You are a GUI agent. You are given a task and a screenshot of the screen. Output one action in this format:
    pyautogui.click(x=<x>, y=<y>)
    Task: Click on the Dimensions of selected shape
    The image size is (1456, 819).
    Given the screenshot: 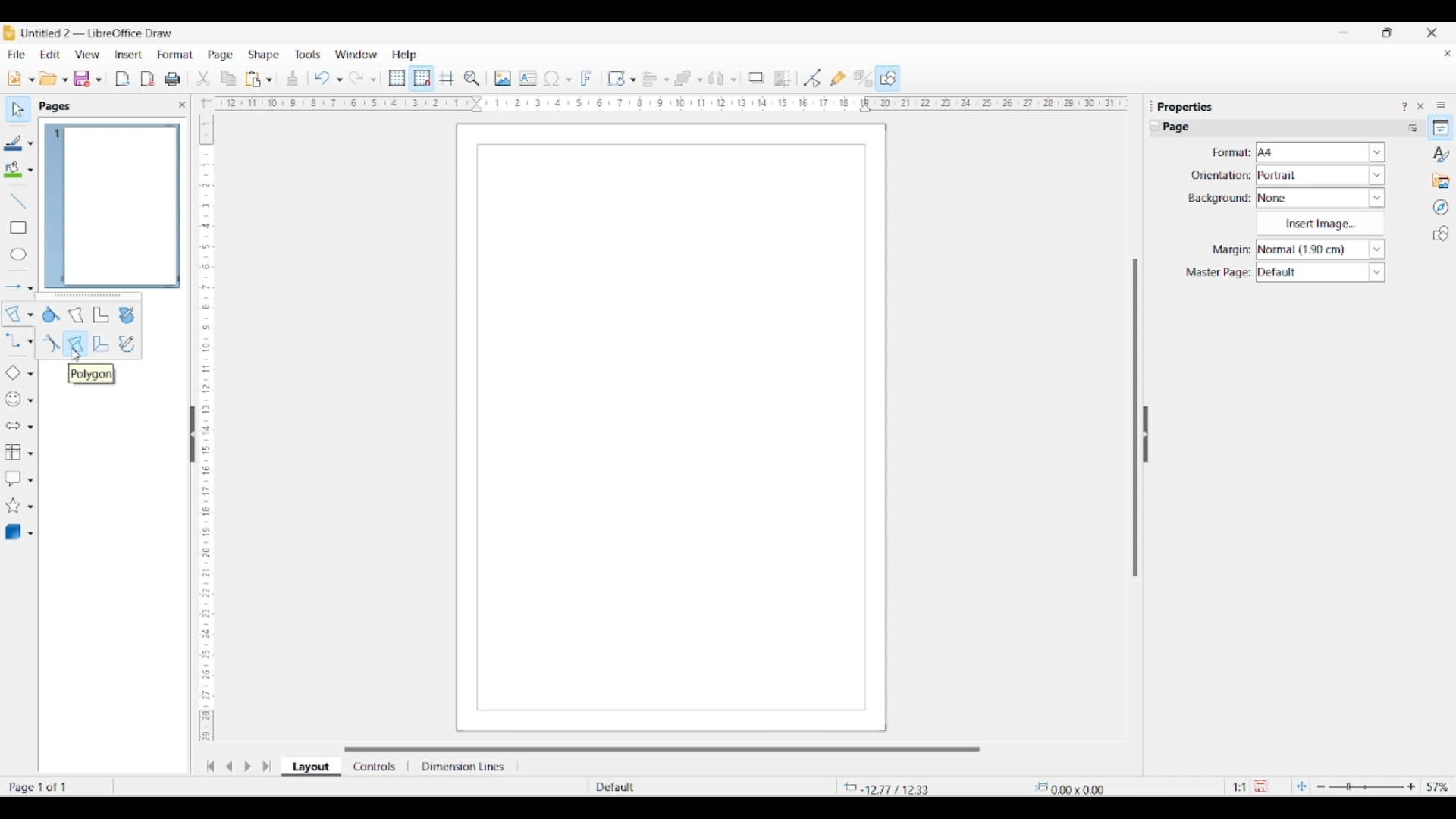 What is the action you would take?
    pyautogui.click(x=1078, y=787)
    